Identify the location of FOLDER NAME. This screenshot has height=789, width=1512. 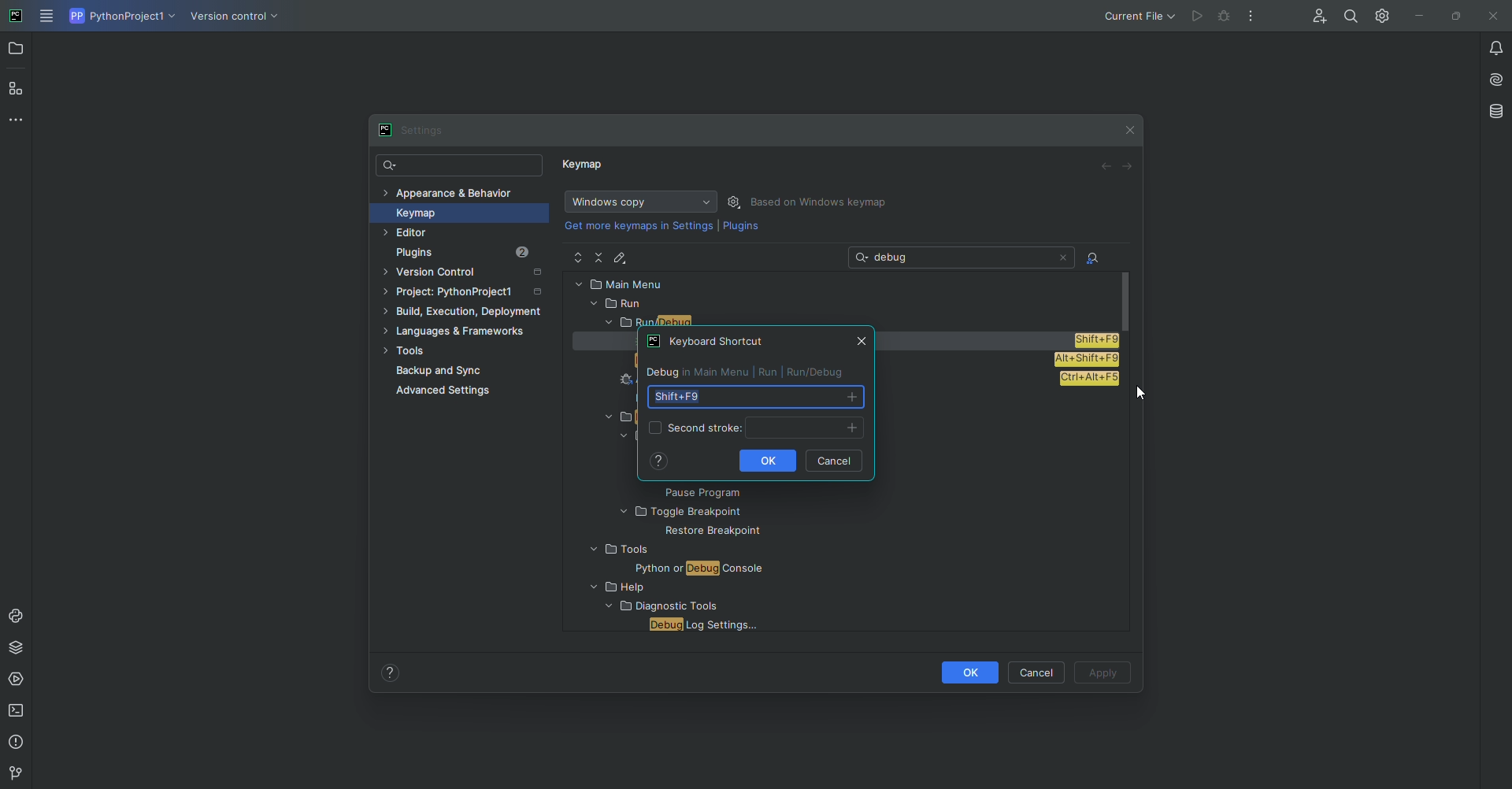
(727, 513).